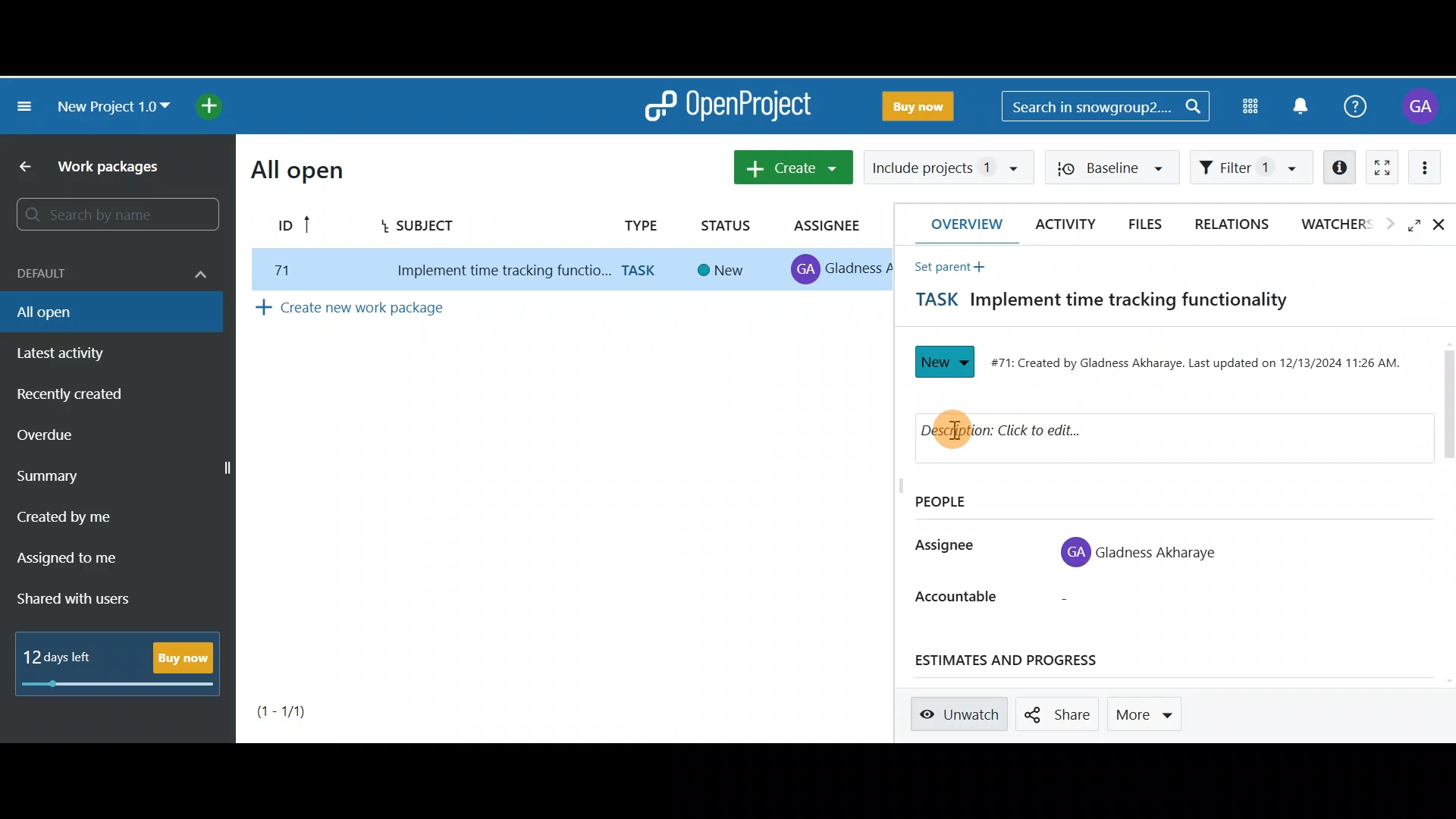 This screenshot has height=819, width=1456. I want to click on Status, so click(946, 362).